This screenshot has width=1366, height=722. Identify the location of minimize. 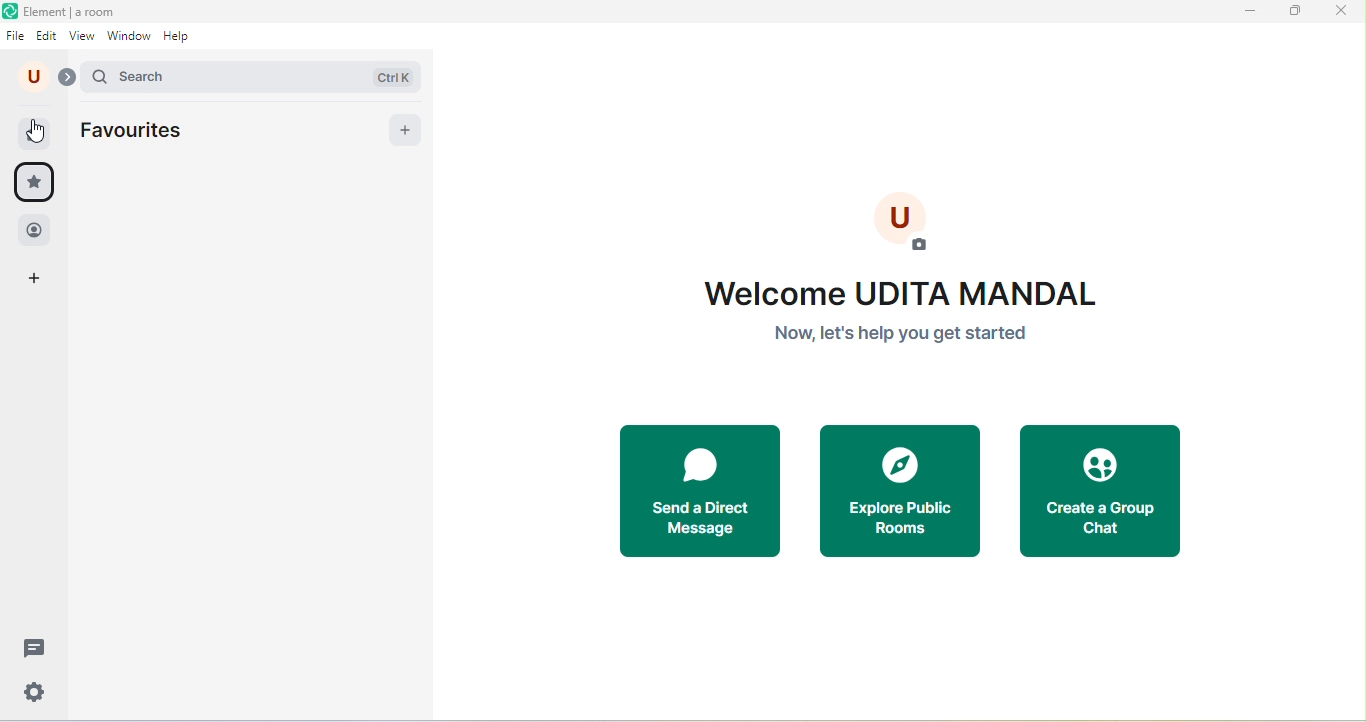
(1252, 13).